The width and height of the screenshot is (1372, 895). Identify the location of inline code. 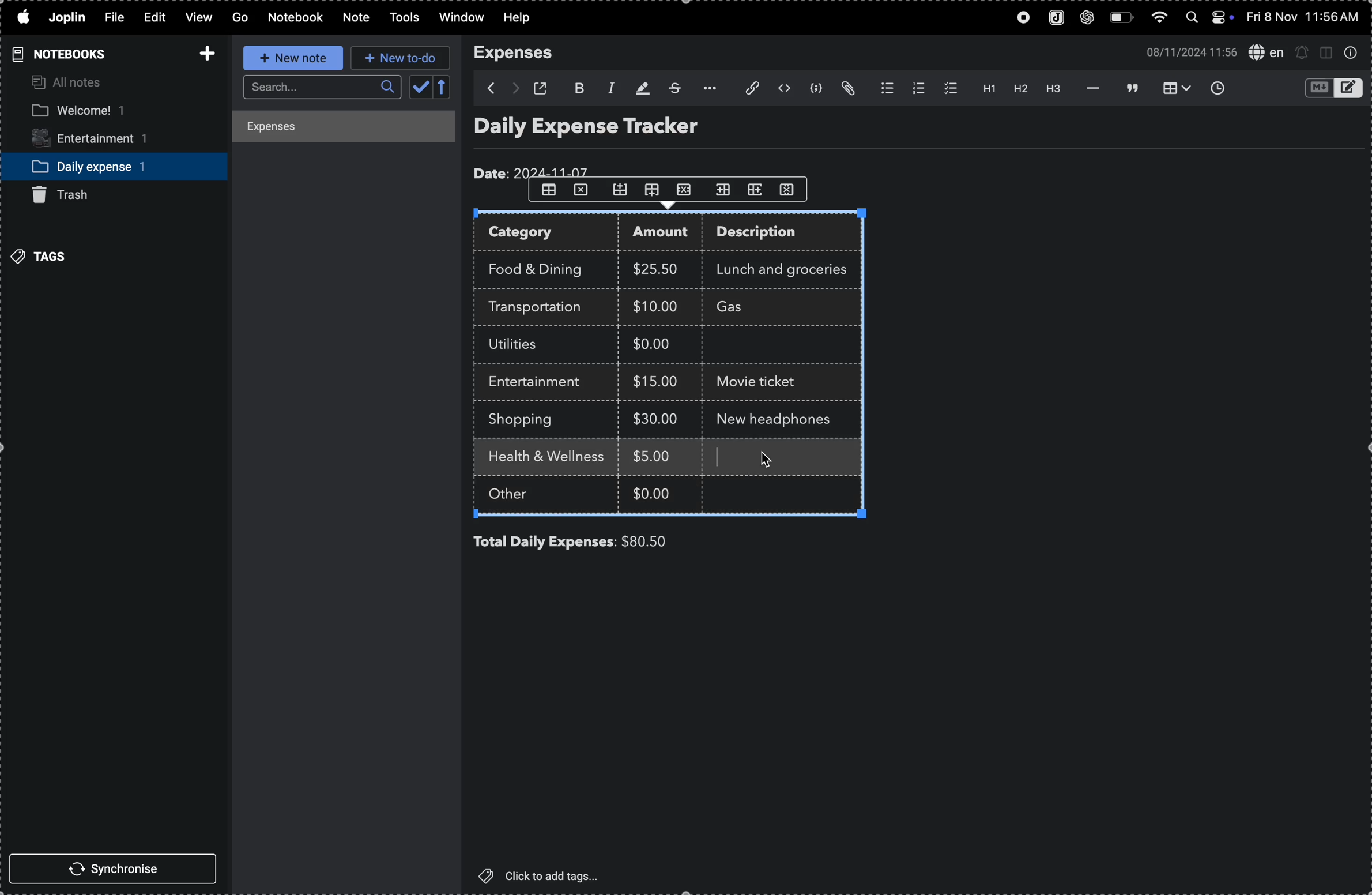
(783, 89).